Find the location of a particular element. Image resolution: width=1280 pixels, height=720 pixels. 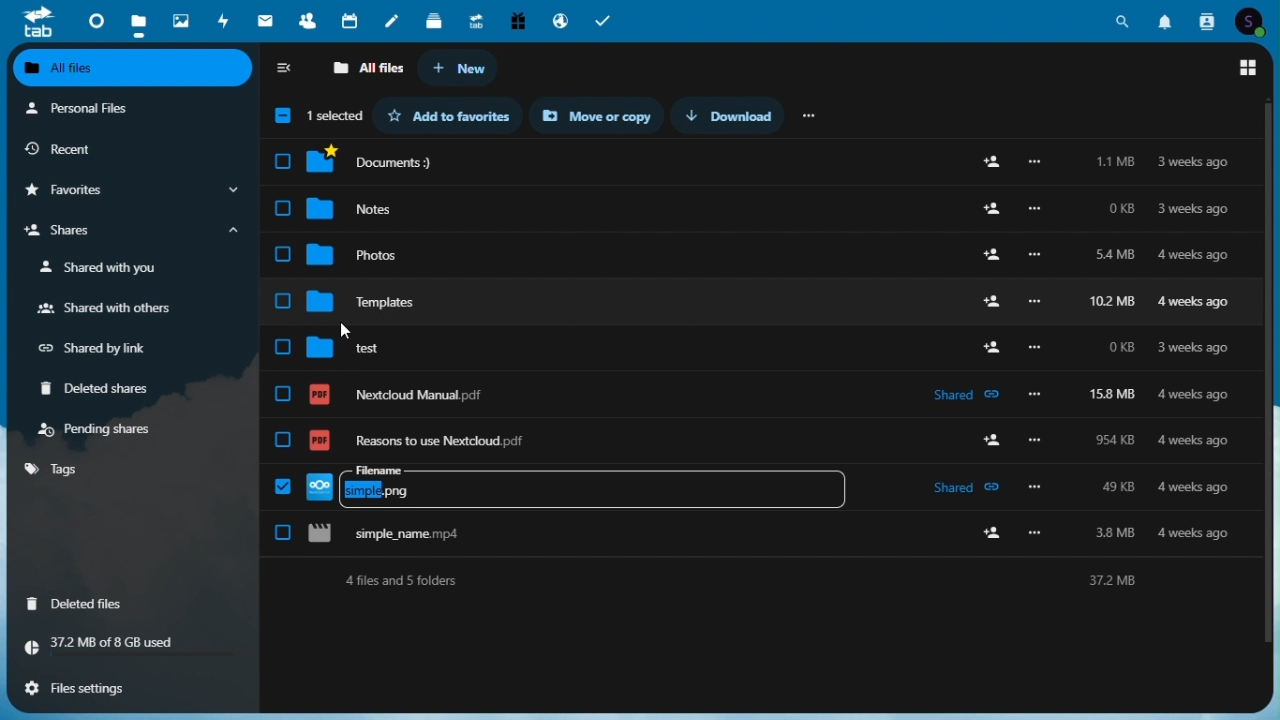

Download is located at coordinates (737, 115).